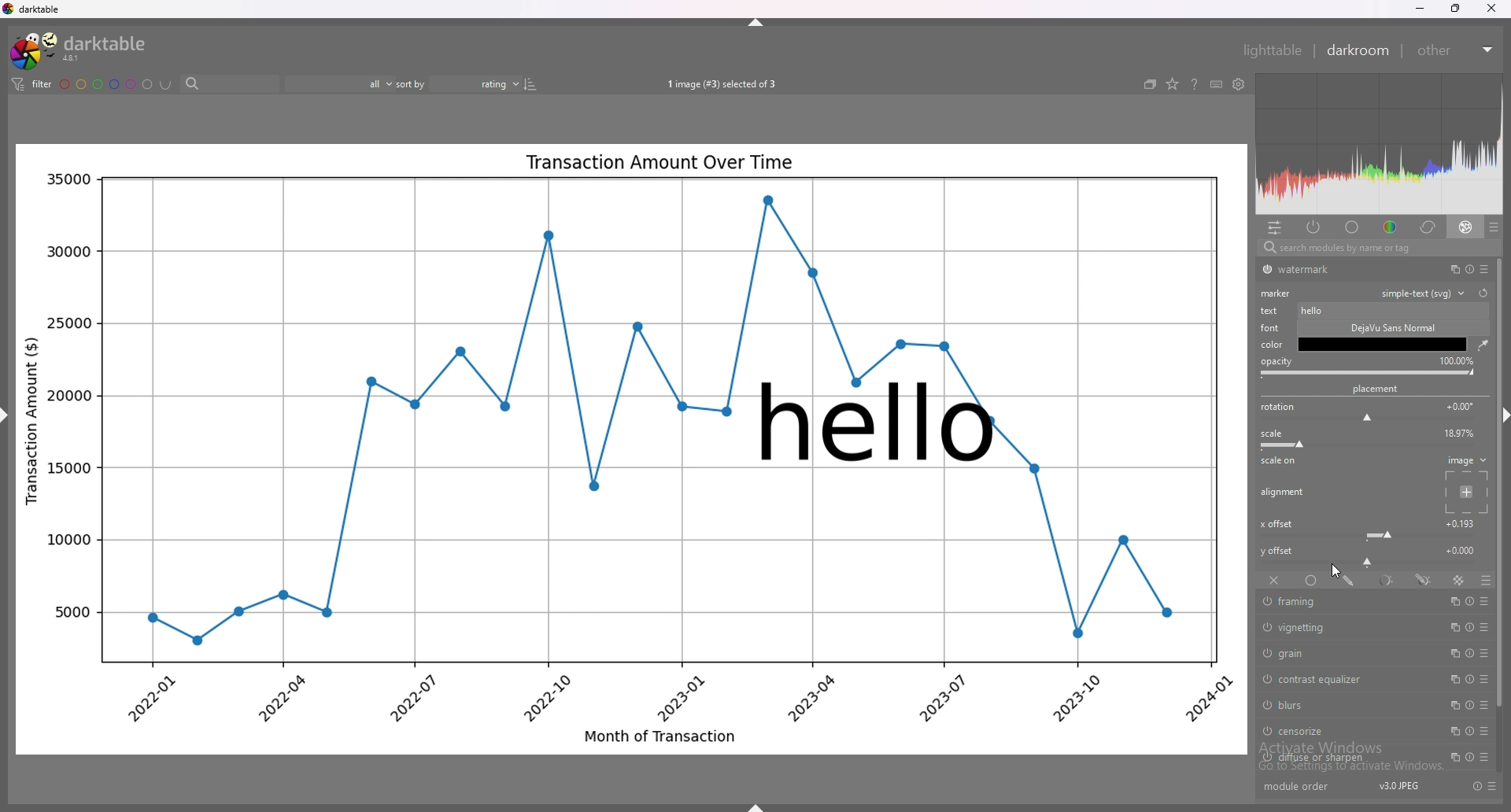  I want to click on quick access panel, so click(1274, 227).